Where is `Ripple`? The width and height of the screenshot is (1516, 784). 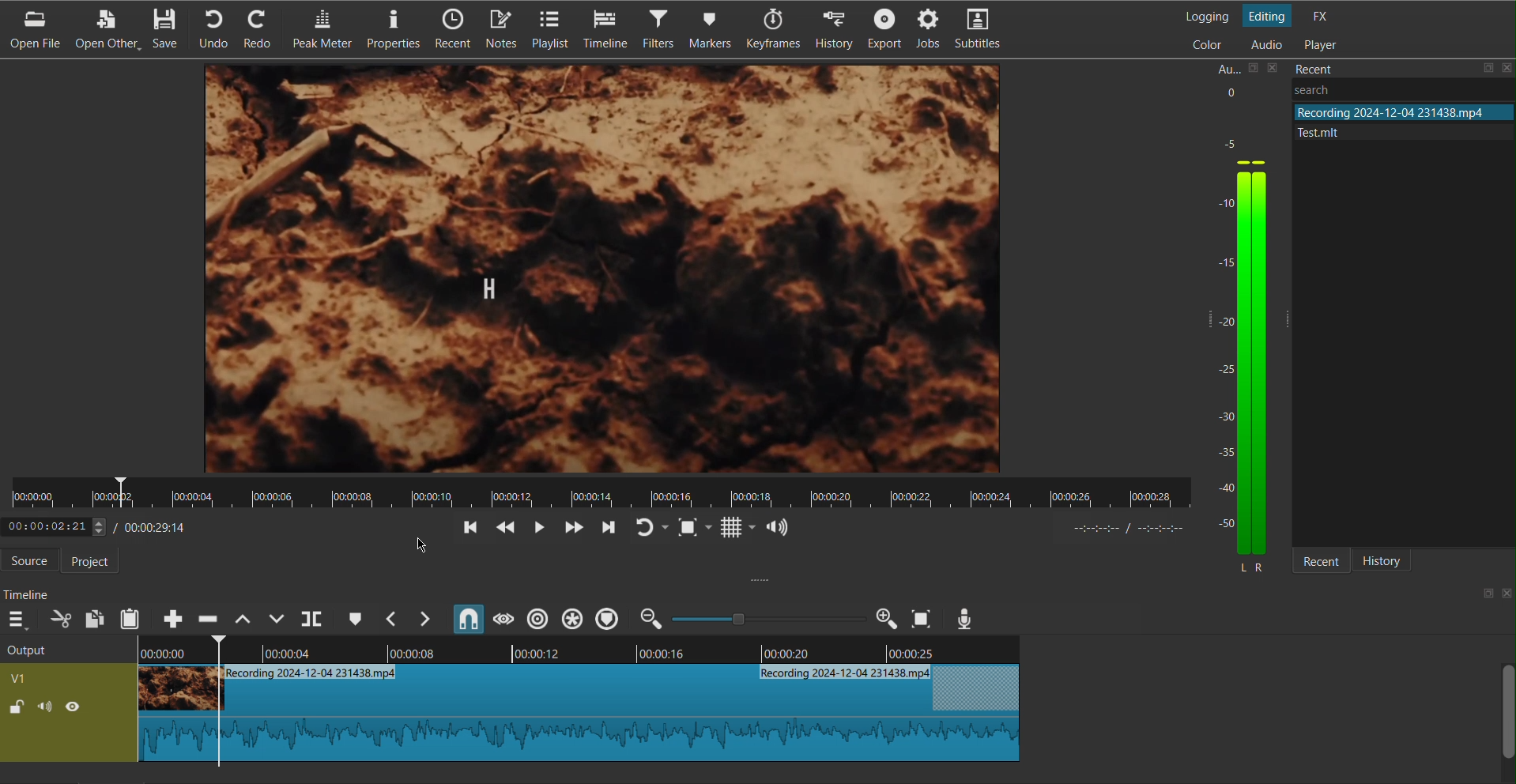 Ripple is located at coordinates (539, 618).